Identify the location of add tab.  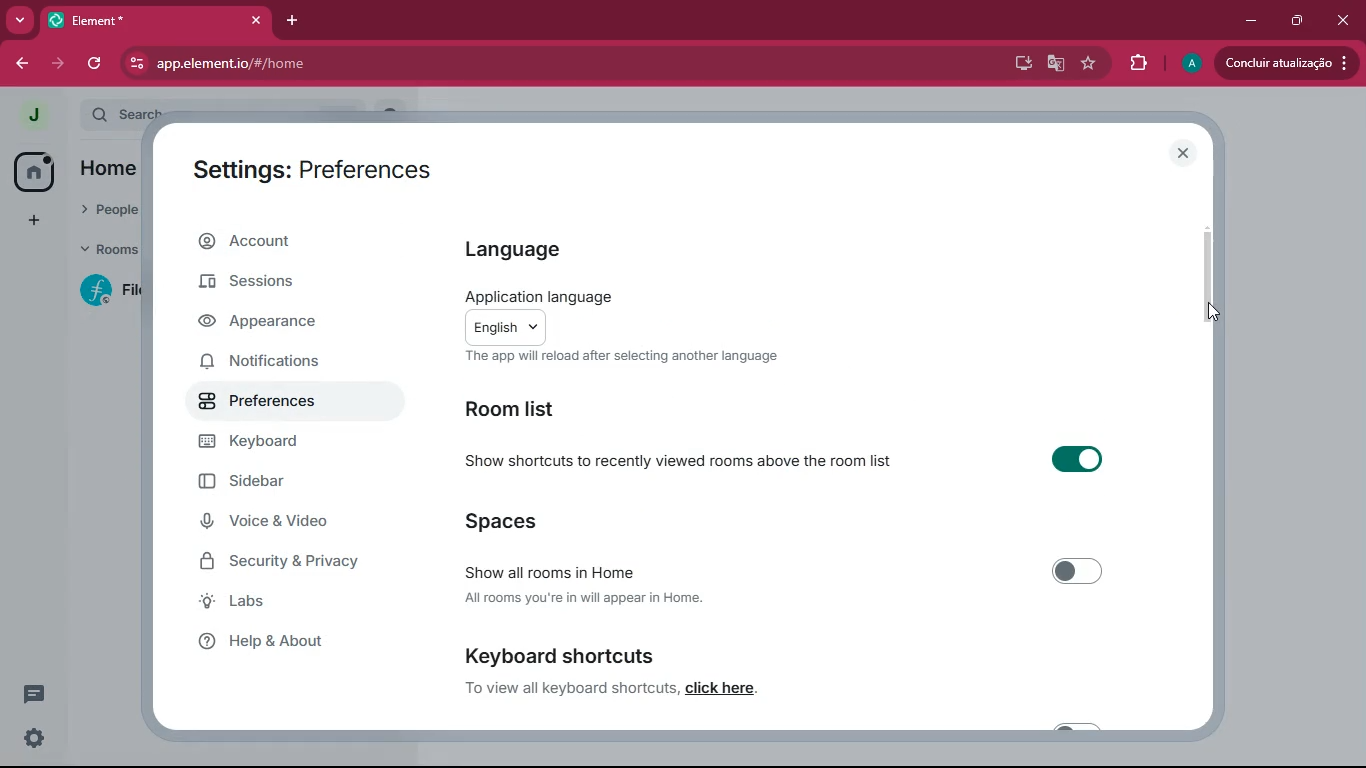
(296, 20).